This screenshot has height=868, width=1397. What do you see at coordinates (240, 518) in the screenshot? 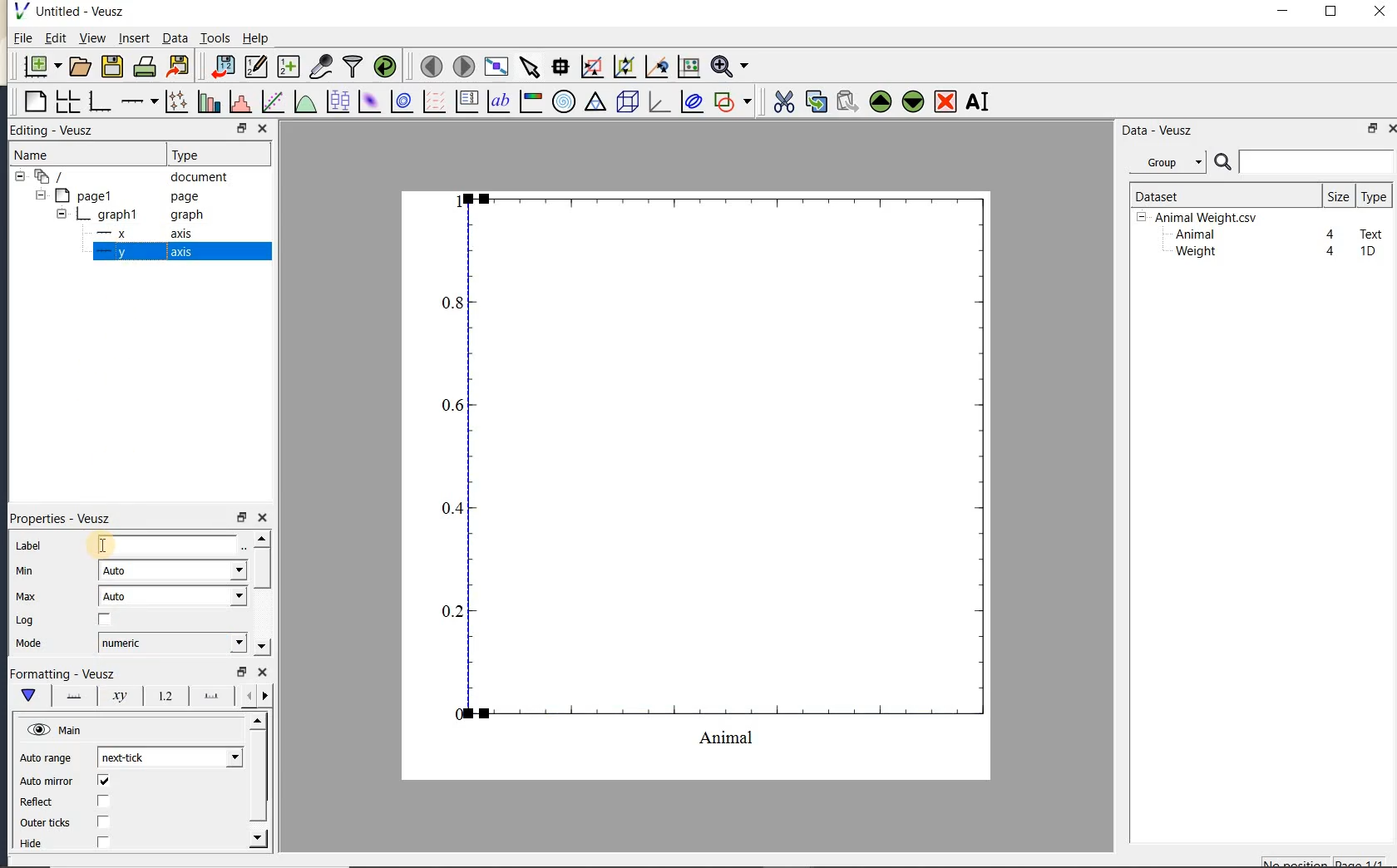
I see `restore` at bounding box center [240, 518].